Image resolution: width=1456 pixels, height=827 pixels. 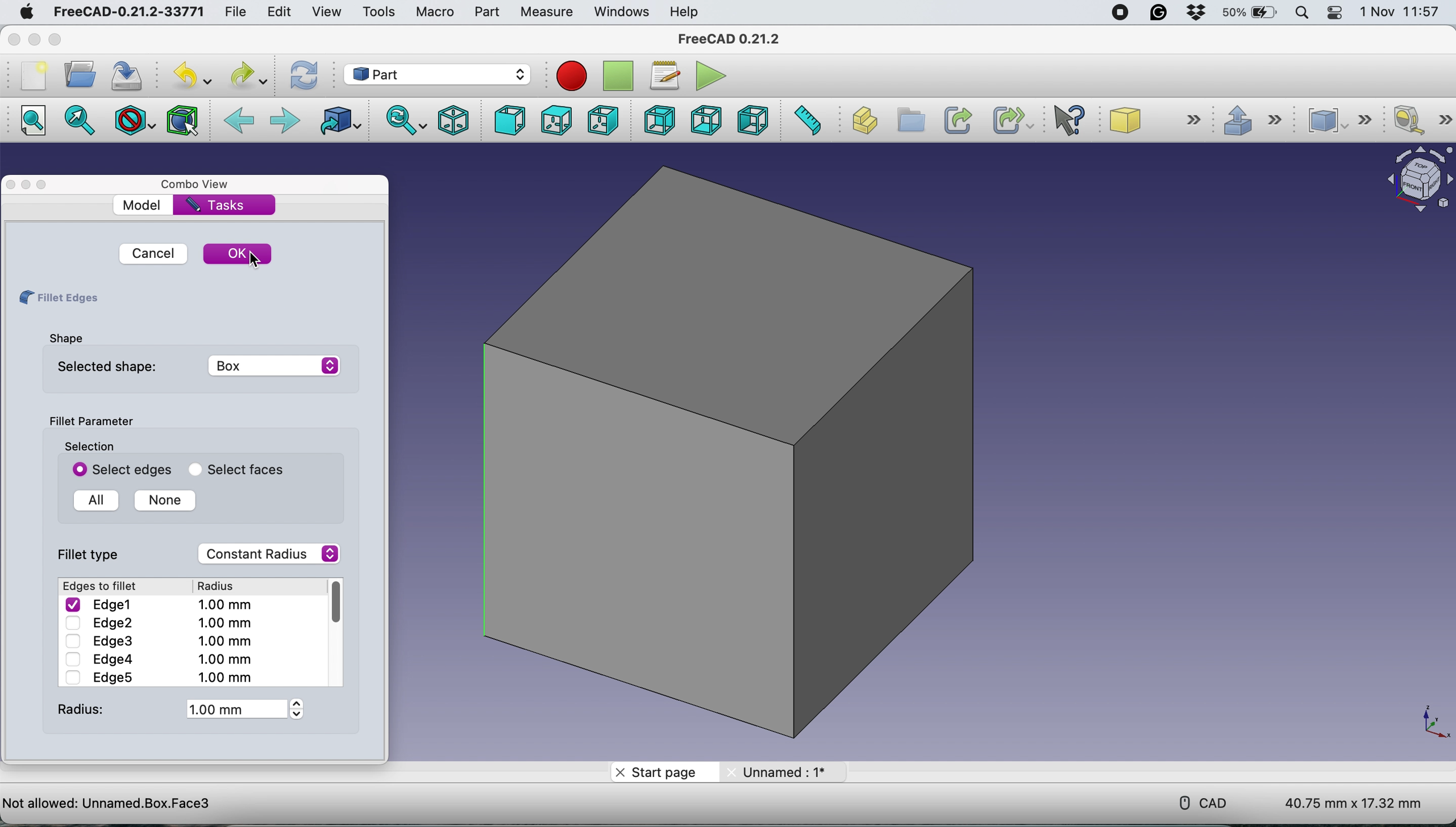 What do you see at coordinates (65, 337) in the screenshot?
I see `Shape` at bounding box center [65, 337].